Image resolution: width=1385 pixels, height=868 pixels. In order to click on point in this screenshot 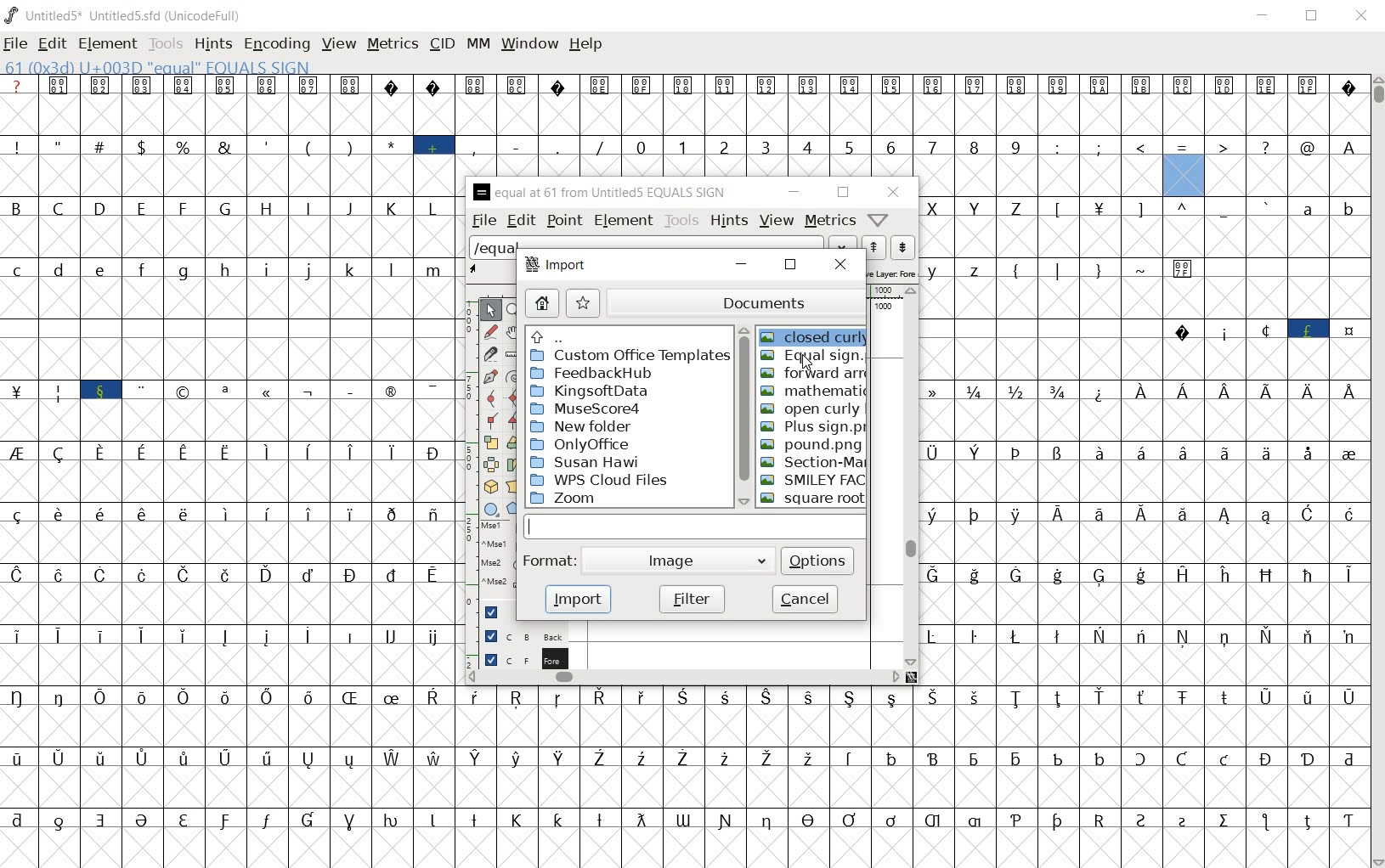, I will do `click(562, 221)`.